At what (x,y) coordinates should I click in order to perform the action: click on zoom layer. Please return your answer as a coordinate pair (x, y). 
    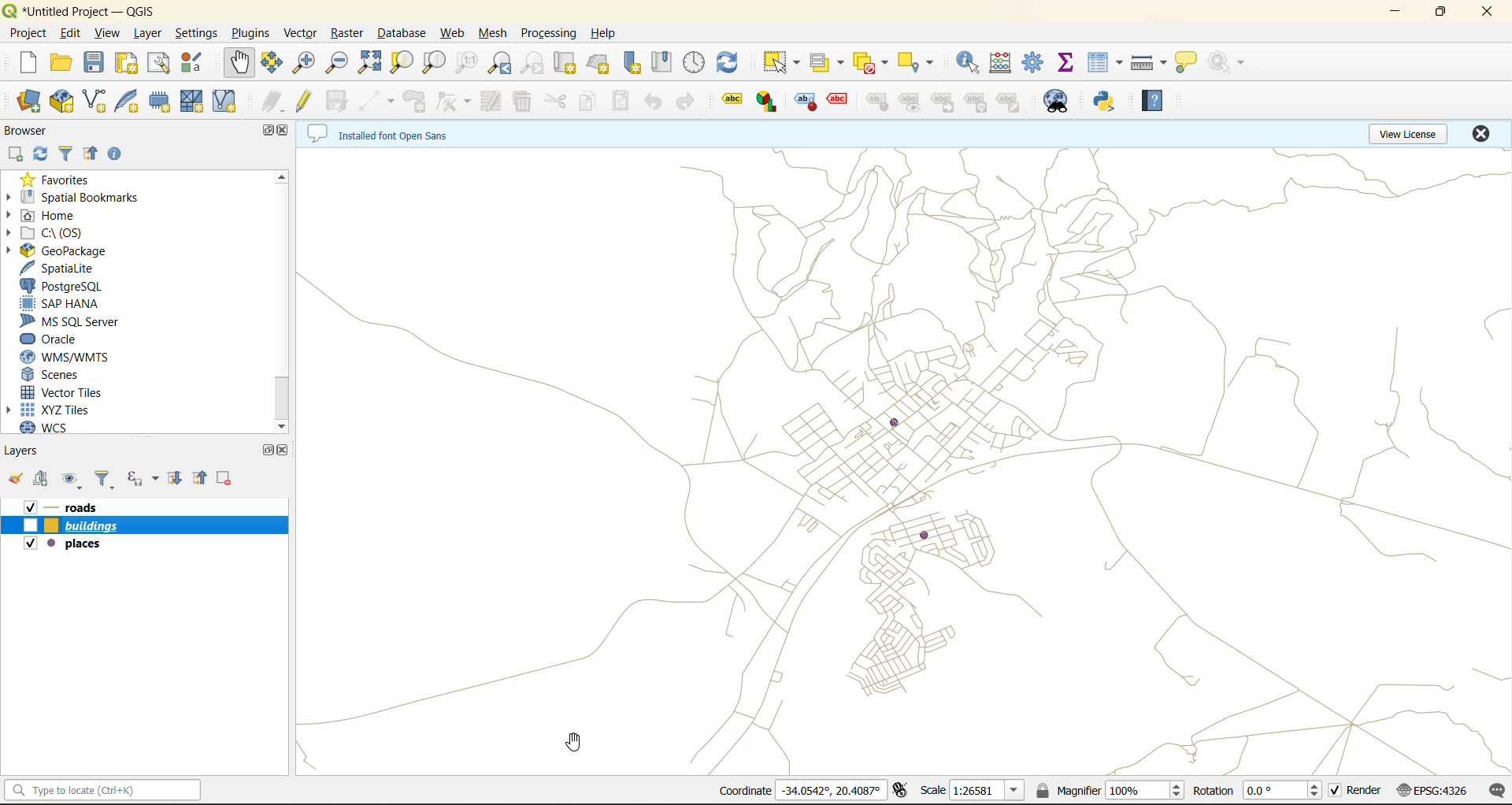
    Looking at the image, I should click on (435, 63).